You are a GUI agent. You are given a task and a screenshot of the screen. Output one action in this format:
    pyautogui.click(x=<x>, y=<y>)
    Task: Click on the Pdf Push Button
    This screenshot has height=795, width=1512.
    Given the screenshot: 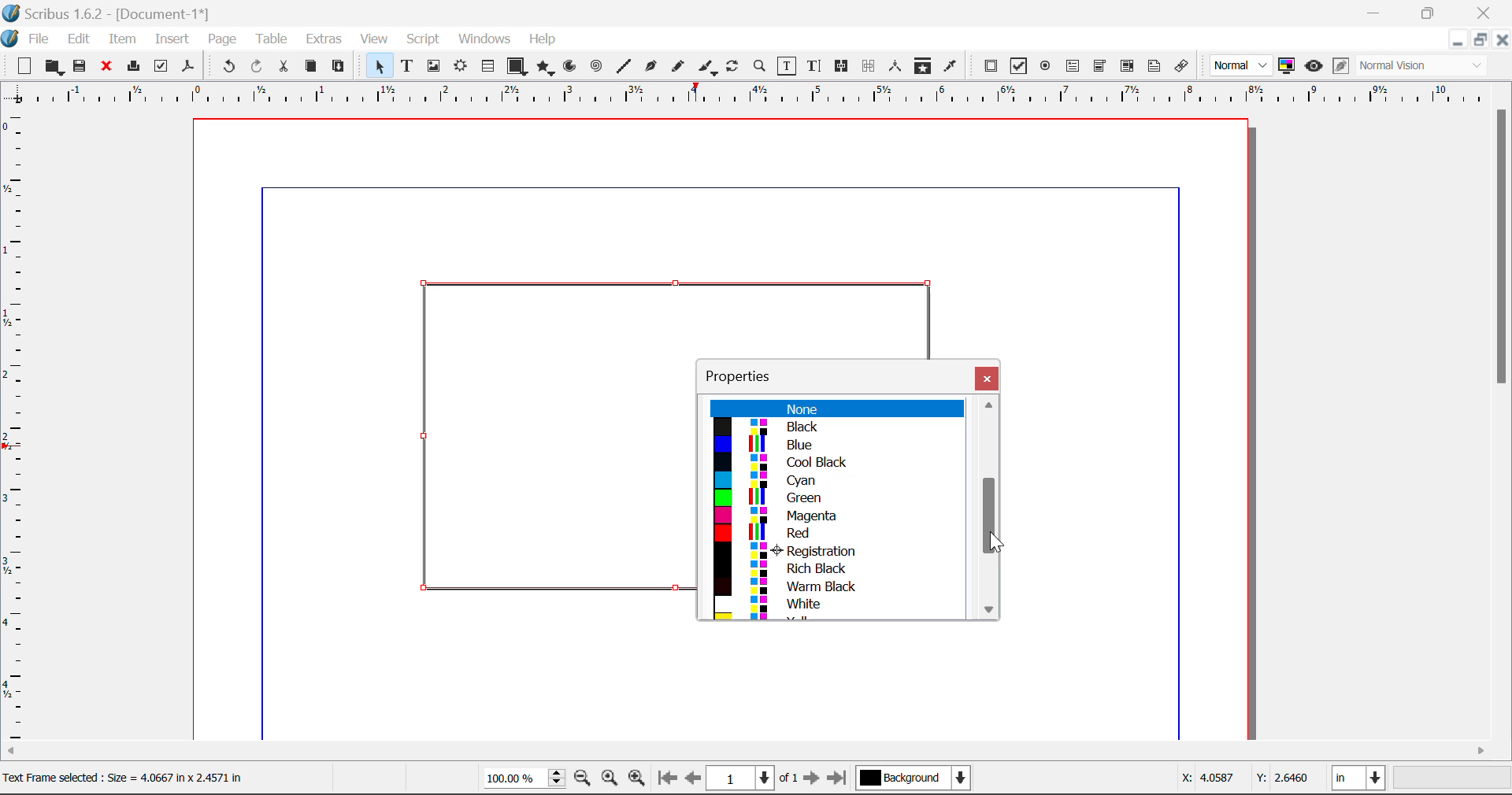 What is the action you would take?
    pyautogui.click(x=991, y=65)
    